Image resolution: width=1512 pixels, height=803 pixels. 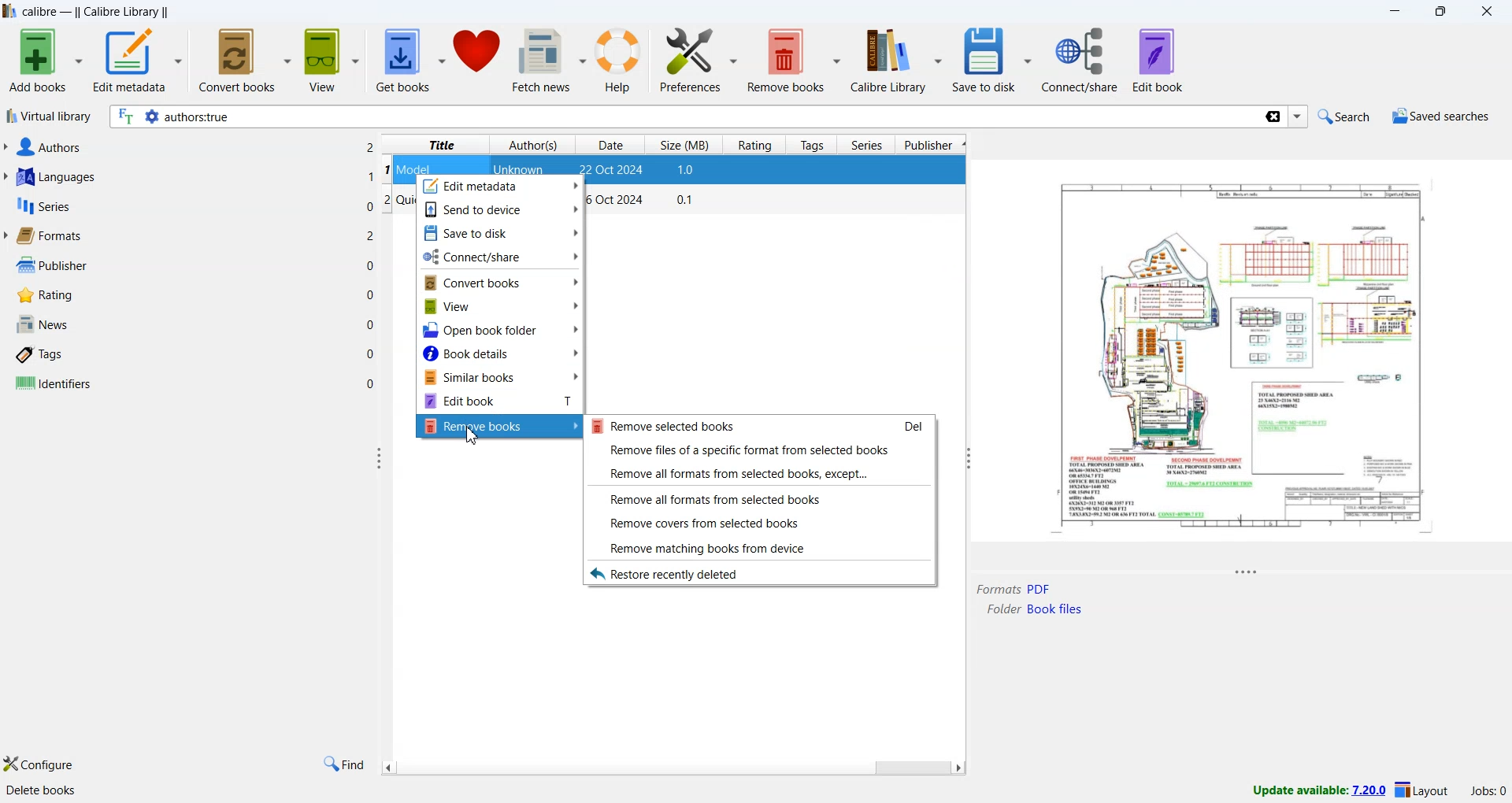 I want to click on , so click(x=370, y=146).